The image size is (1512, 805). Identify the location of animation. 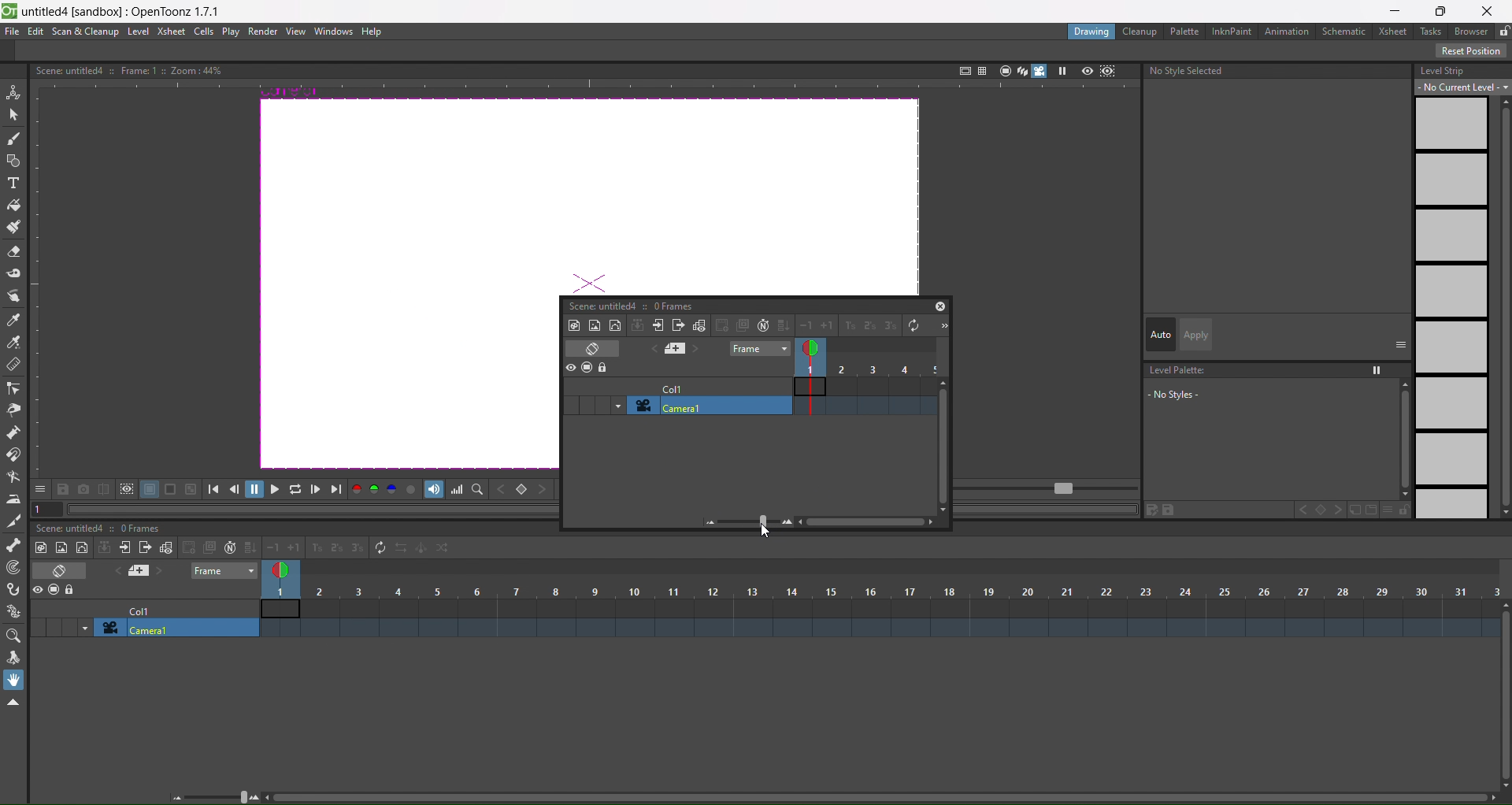
(1290, 32).